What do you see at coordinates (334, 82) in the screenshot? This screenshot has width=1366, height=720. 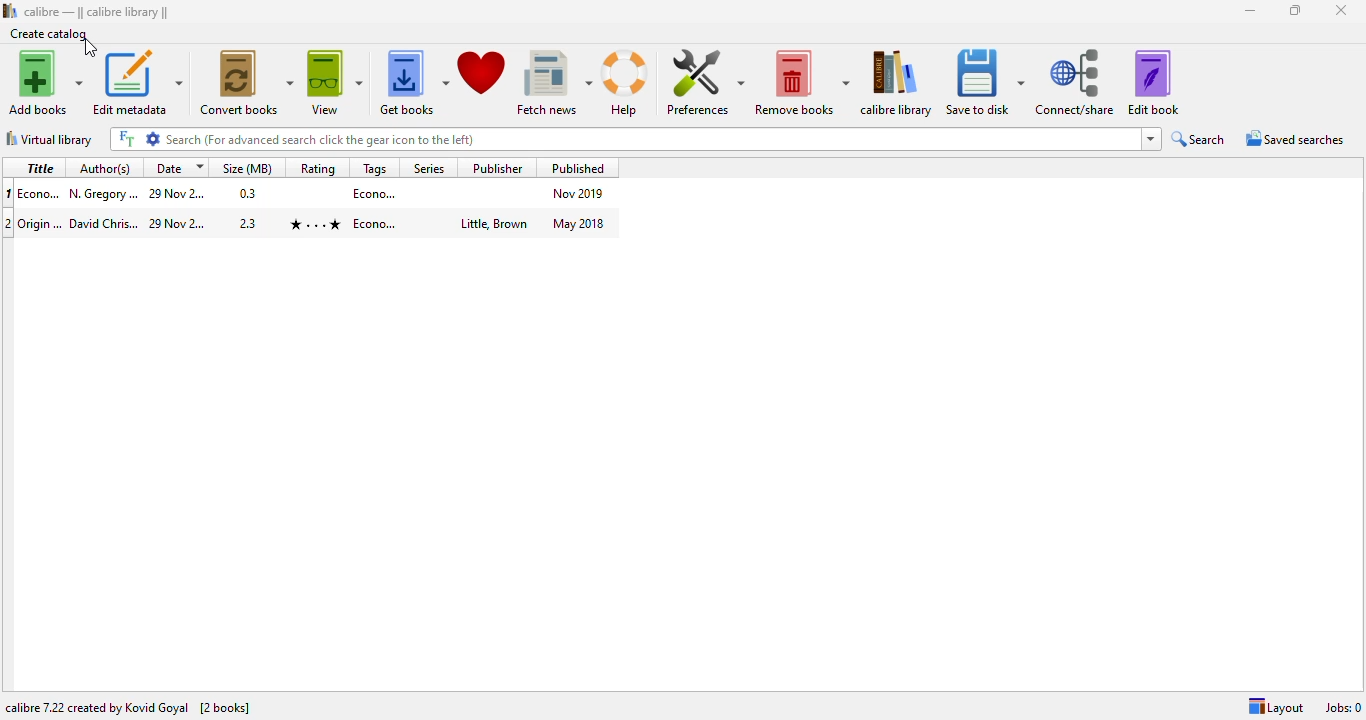 I see `view` at bounding box center [334, 82].